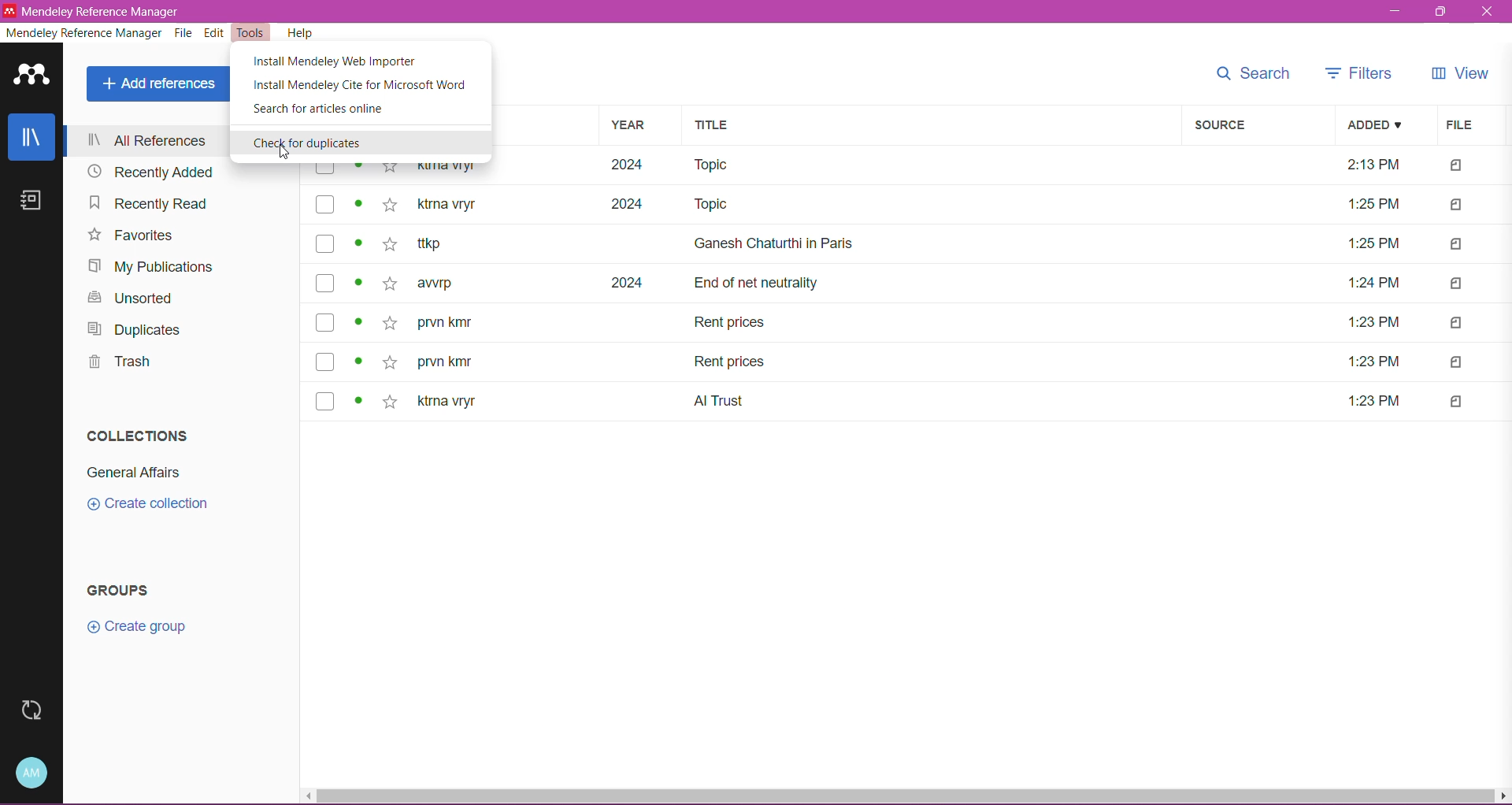 The image size is (1512, 805). I want to click on favourite, so click(391, 362).